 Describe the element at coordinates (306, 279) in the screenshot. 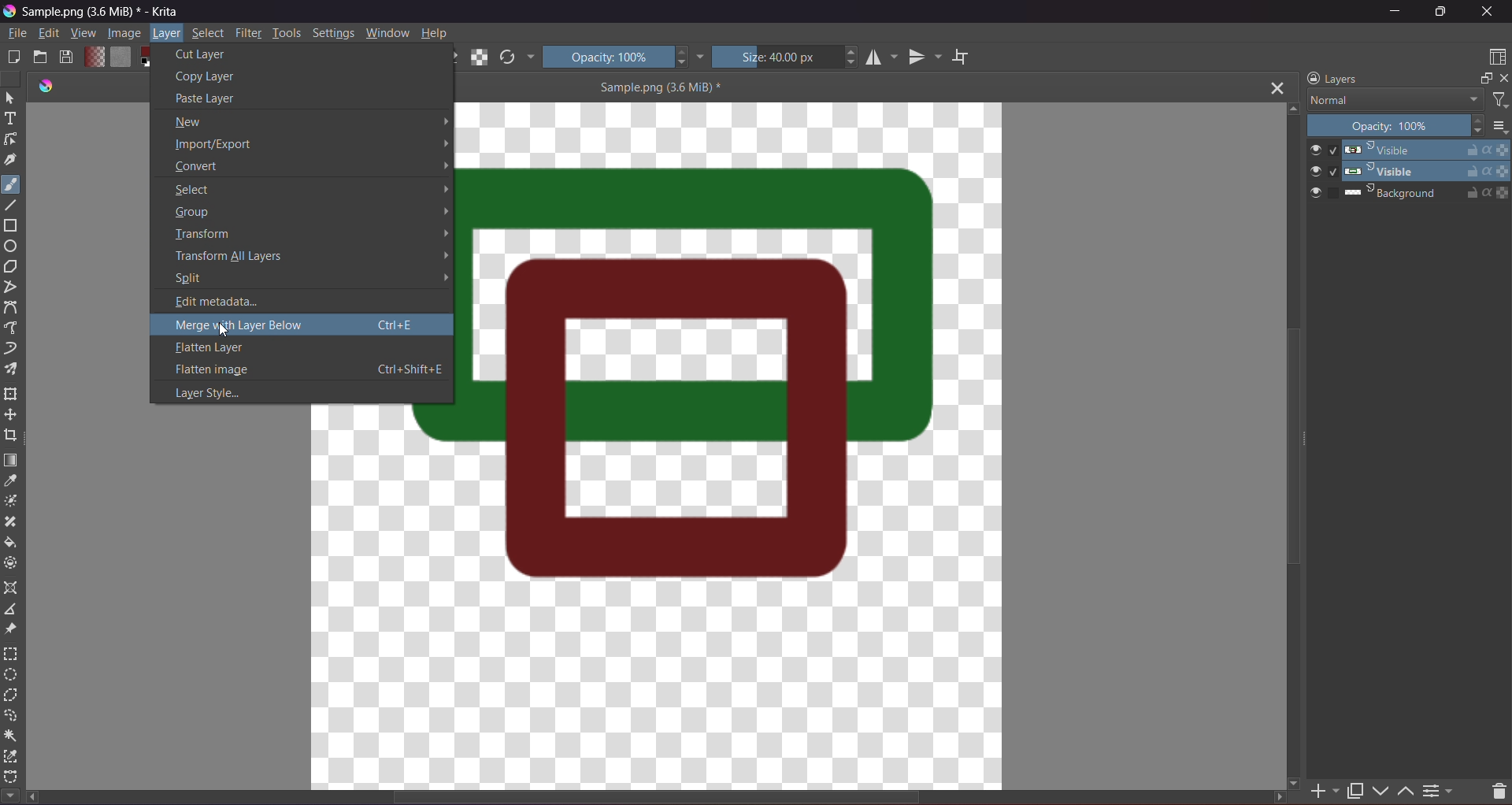

I see `Split` at that location.